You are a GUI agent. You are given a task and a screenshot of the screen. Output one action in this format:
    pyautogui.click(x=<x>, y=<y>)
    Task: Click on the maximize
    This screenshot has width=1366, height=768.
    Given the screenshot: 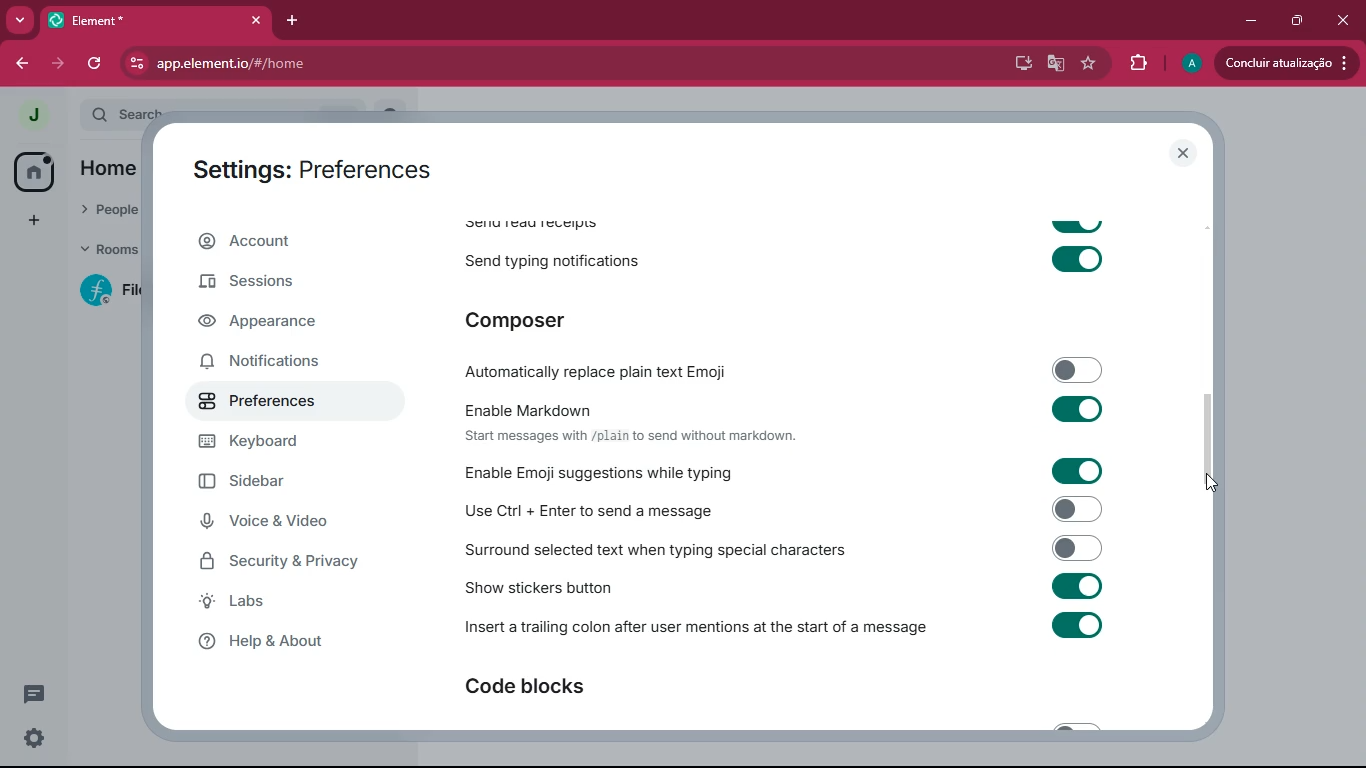 What is the action you would take?
    pyautogui.click(x=1295, y=20)
    